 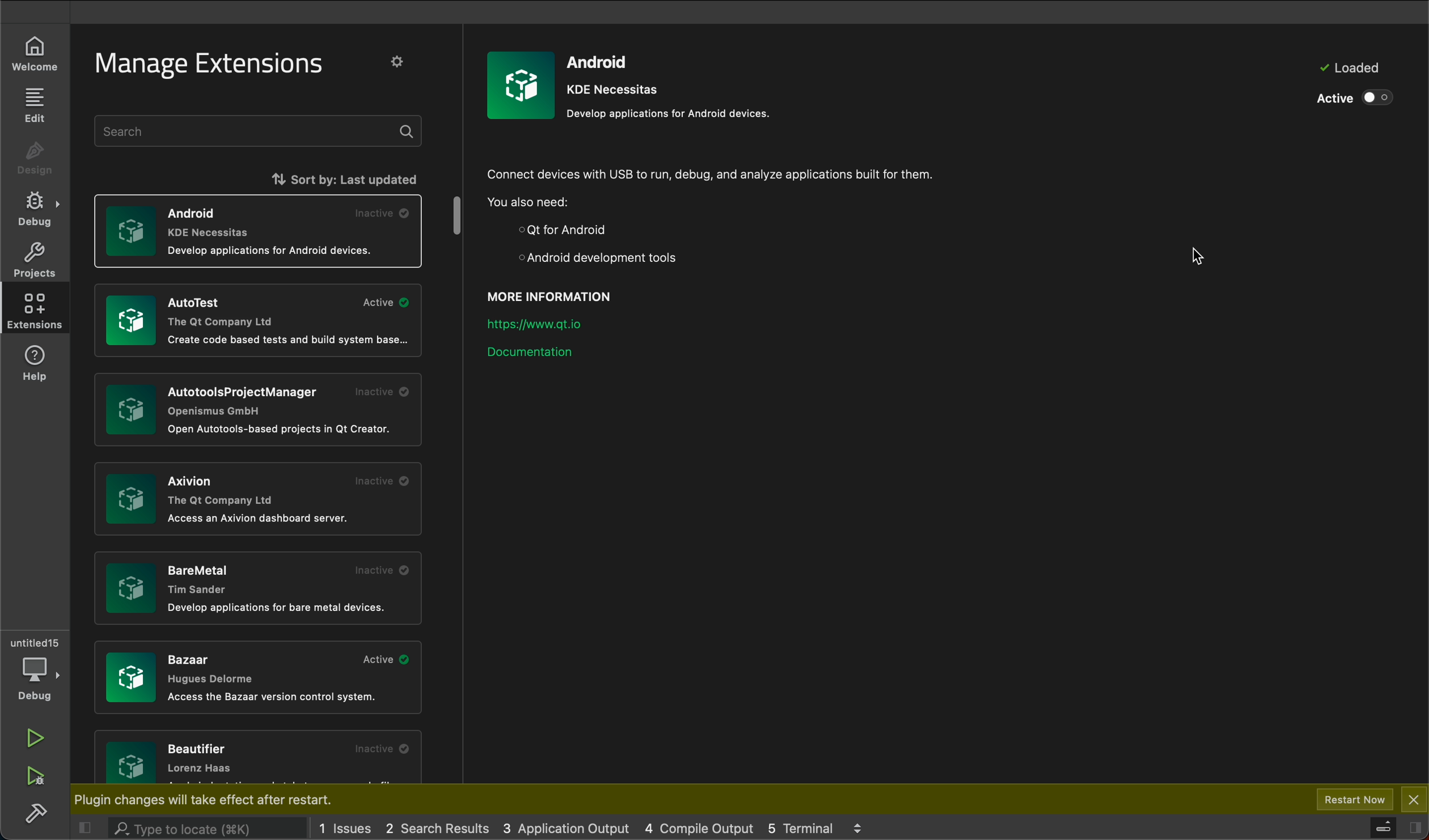 I want to click on extensions, so click(x=35, y=311).